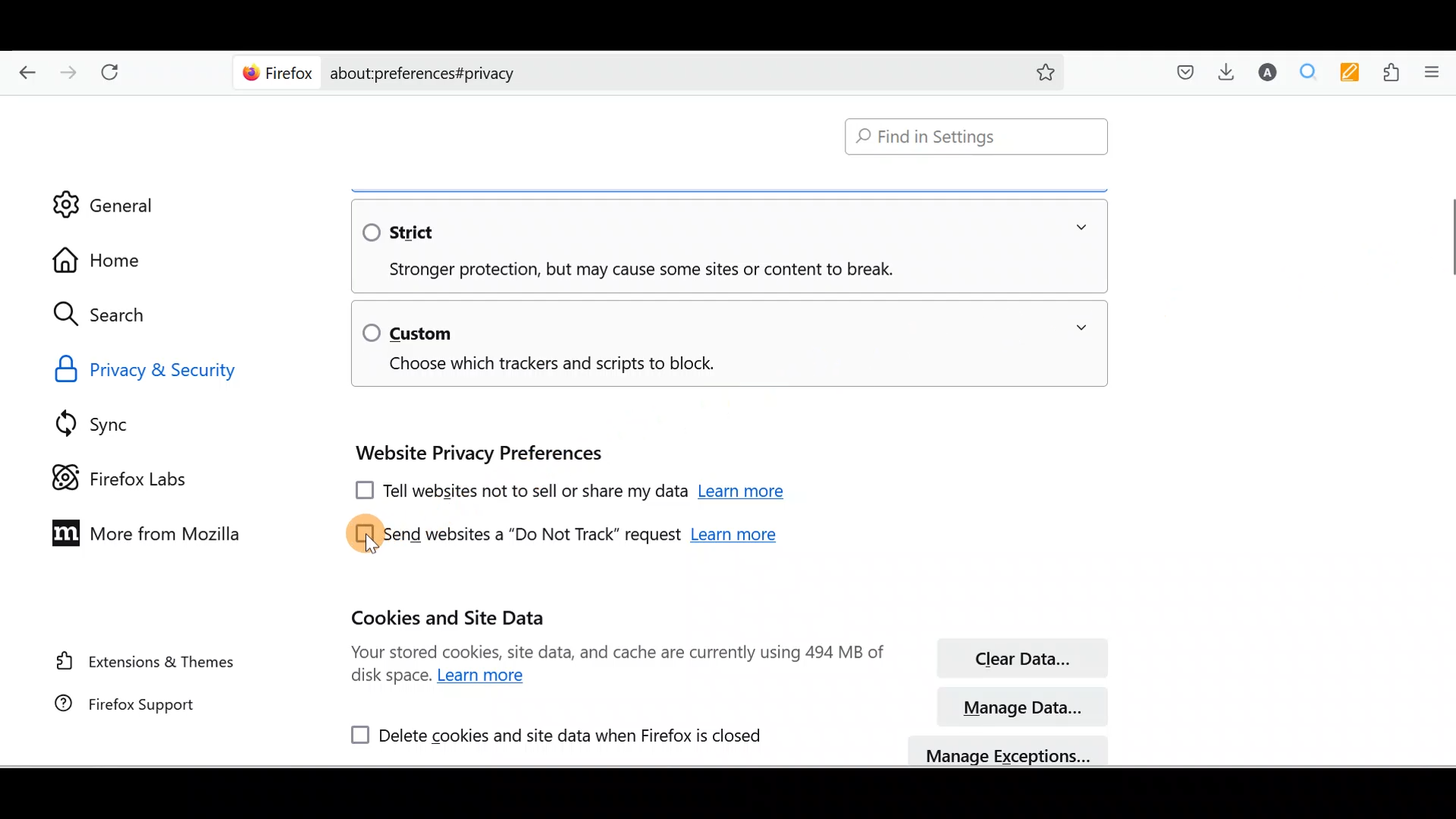 This screenshot has height=819, width=1456. Describe the element at coordinates (1436, 73) in the screenshot. I see `Open application menu` at that location.